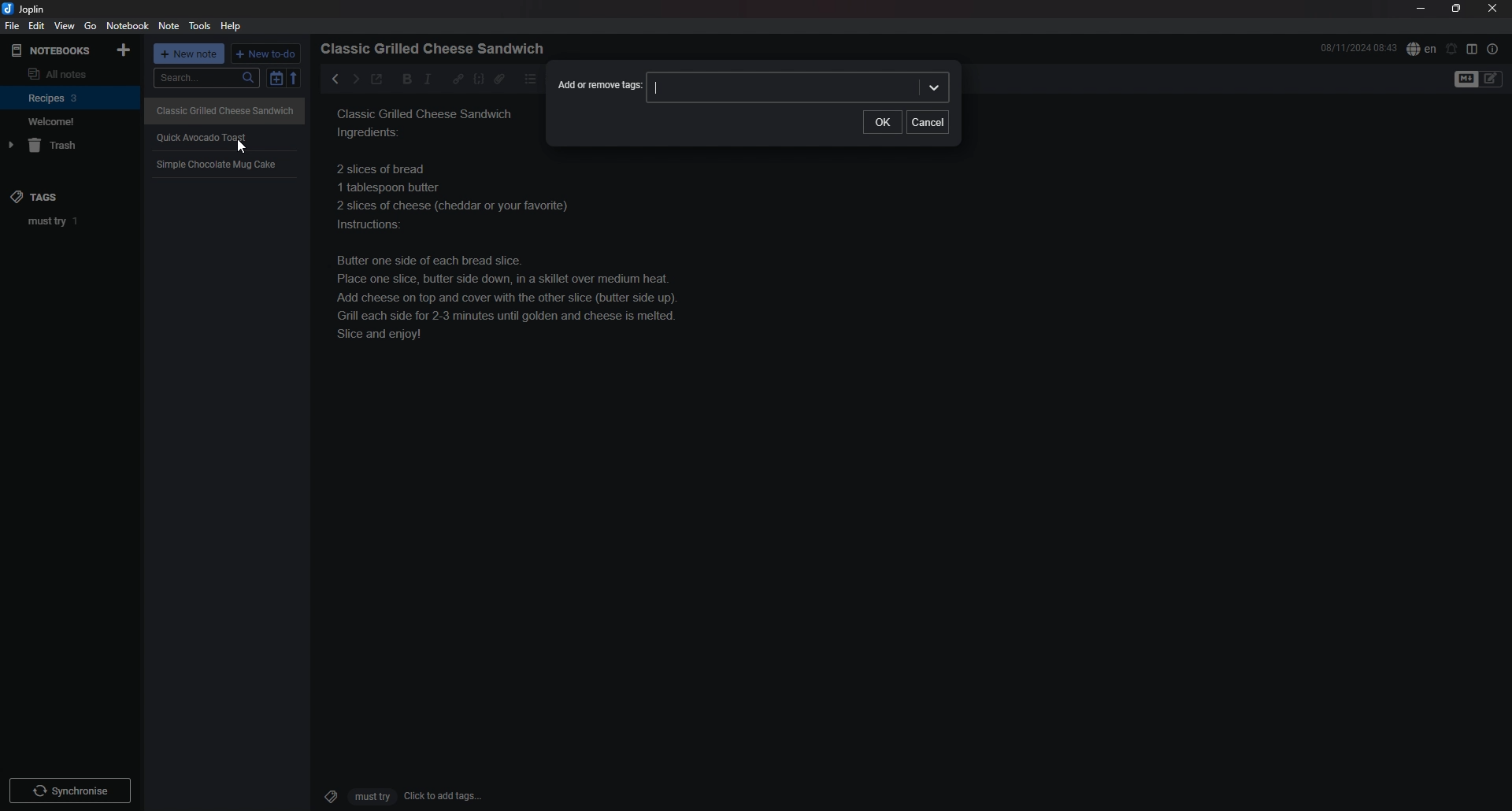  I want to click on notebooks, so click(53, 50).